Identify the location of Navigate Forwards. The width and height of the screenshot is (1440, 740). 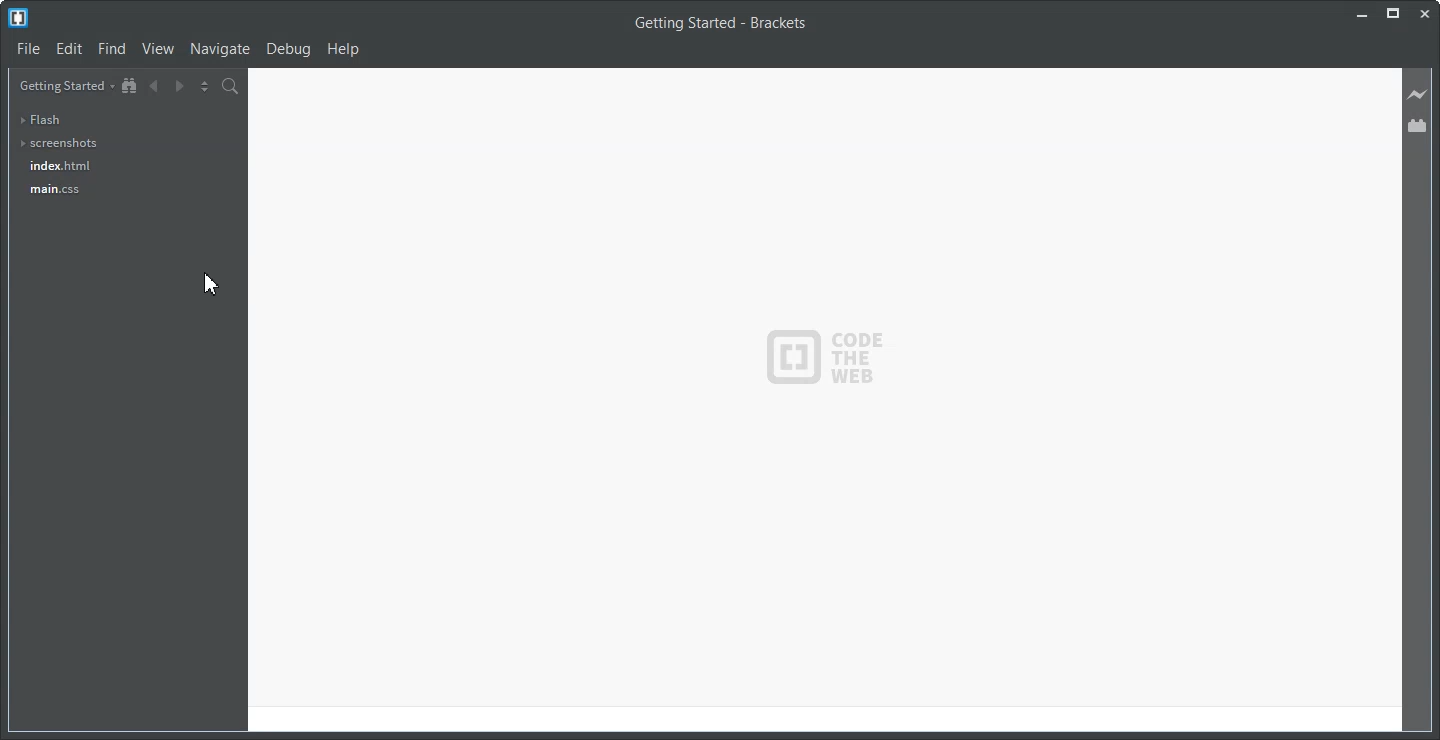
(178, 87).